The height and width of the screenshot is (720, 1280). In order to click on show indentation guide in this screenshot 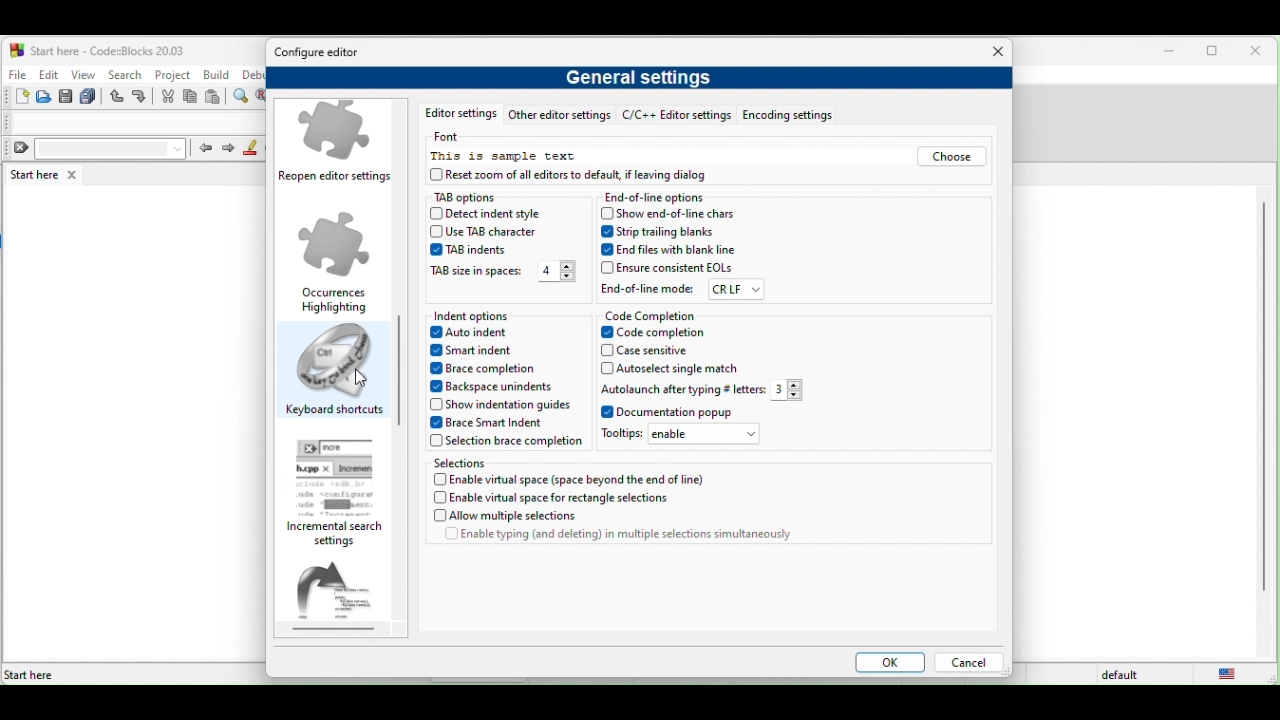, I will do `click(499, 404)`.